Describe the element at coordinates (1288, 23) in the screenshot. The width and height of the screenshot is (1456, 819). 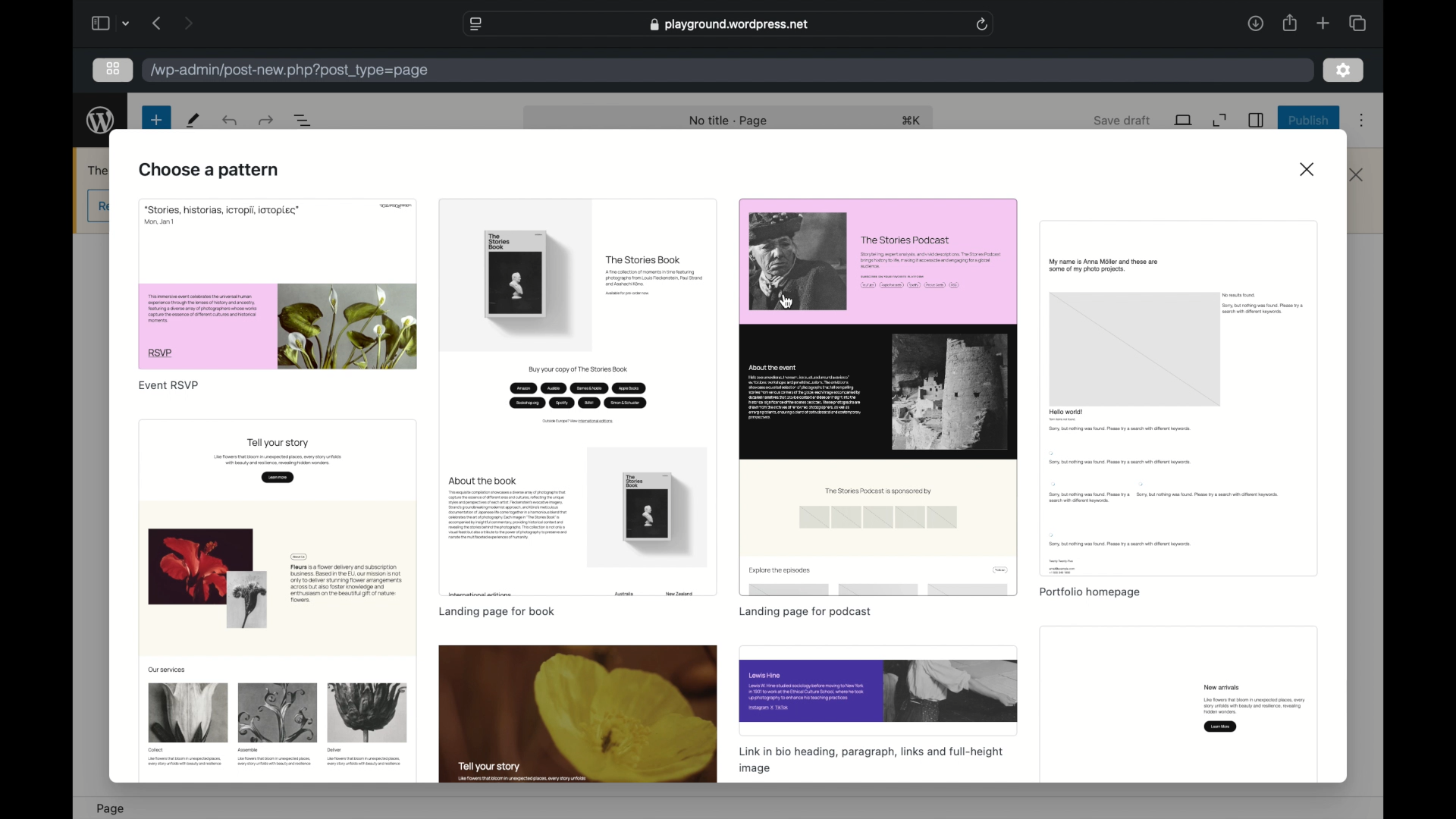
I see `share` at that location.